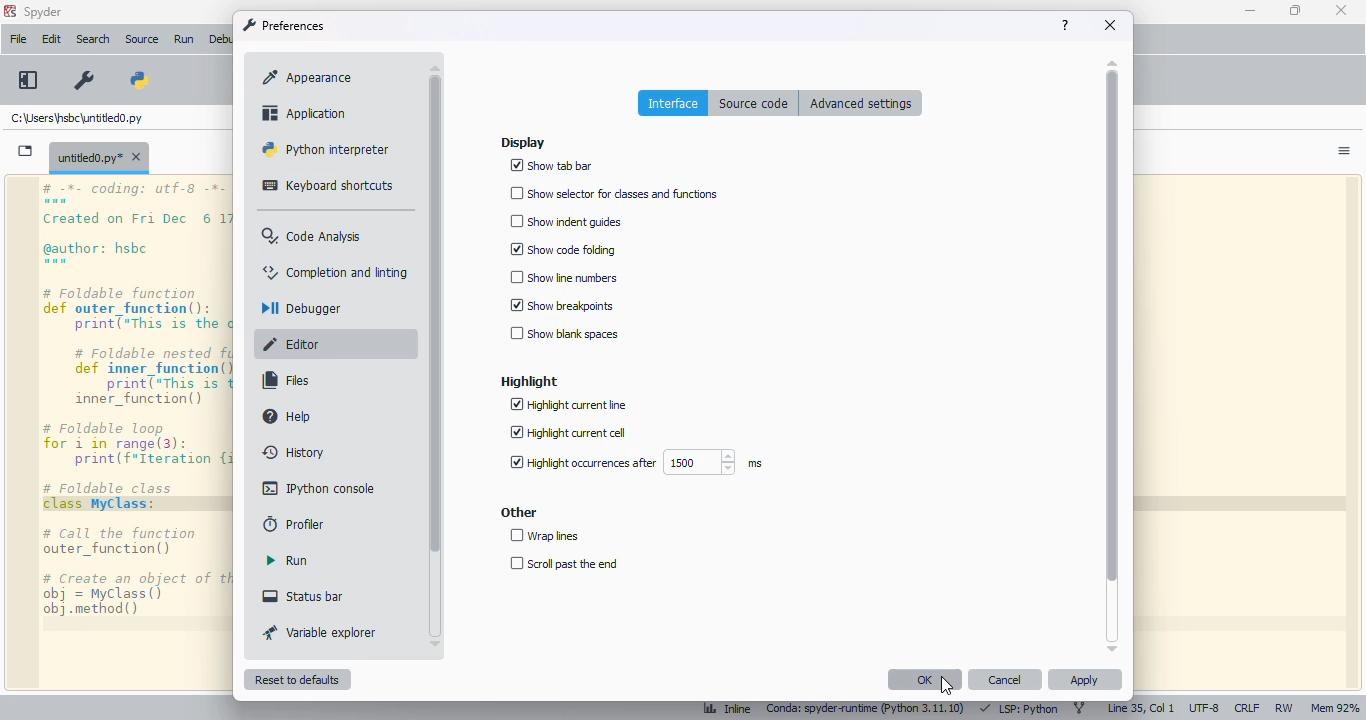 Image resolution: width=1366 pixels, height=720 pixels. What do you see at coordinates (616, 193) in the screenshot?
I see `show selector for classes and functions` at bounding box center [616, 193].